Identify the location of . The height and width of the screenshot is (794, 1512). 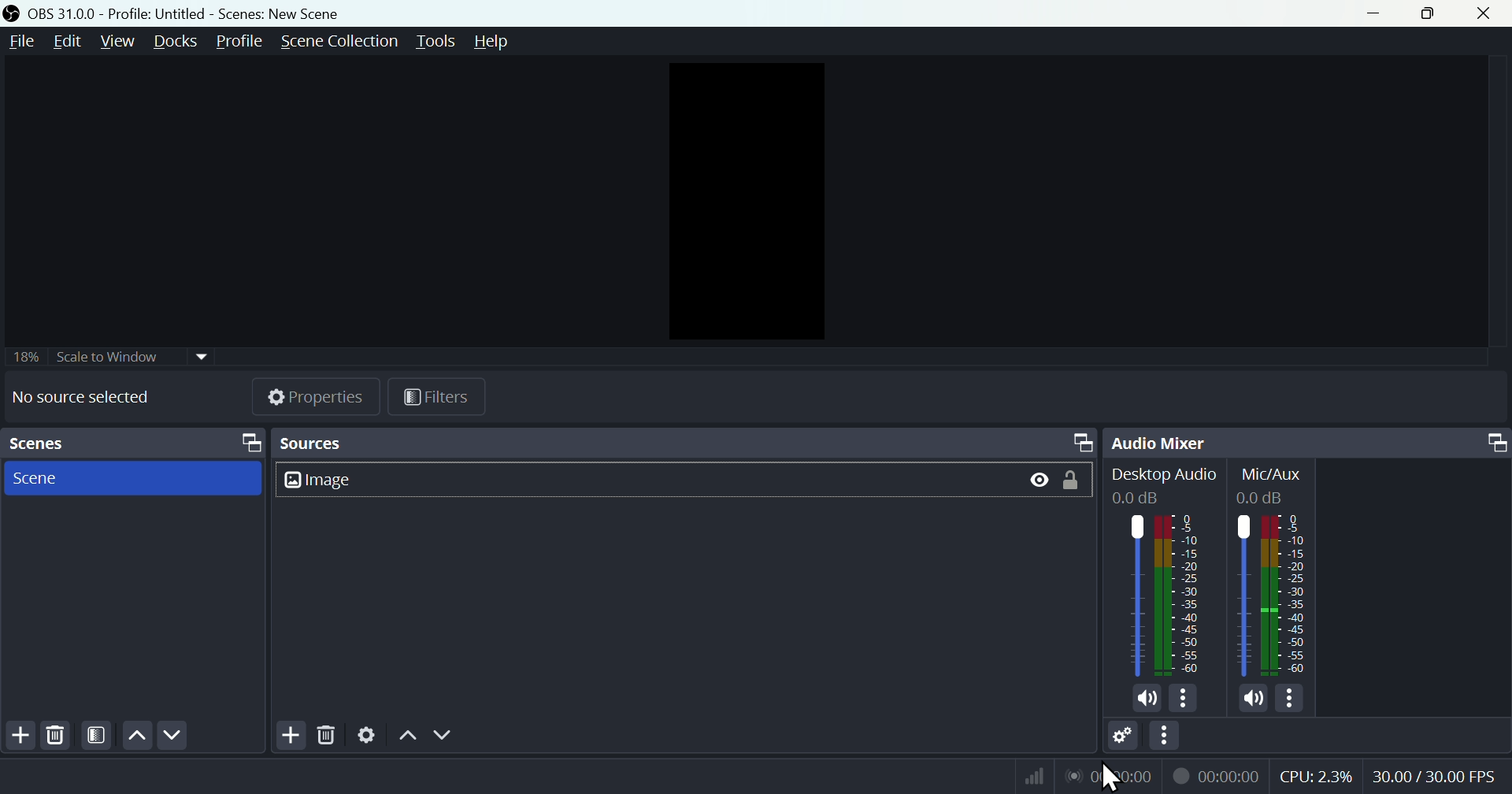
(1037, 482).